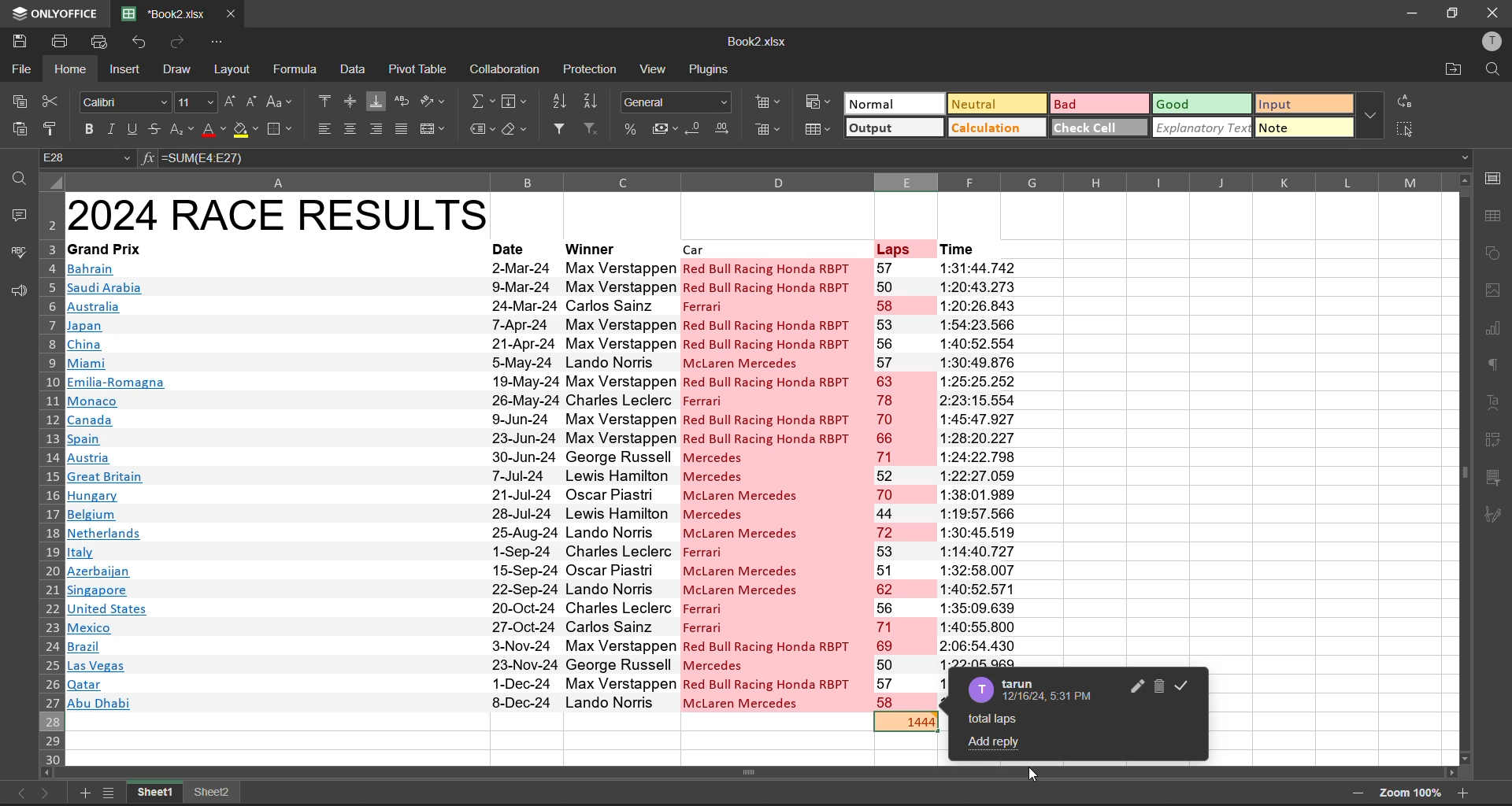  Describe the element at coordinates (183, 130) in the screenshot. I see `sub/superscript` at that location.